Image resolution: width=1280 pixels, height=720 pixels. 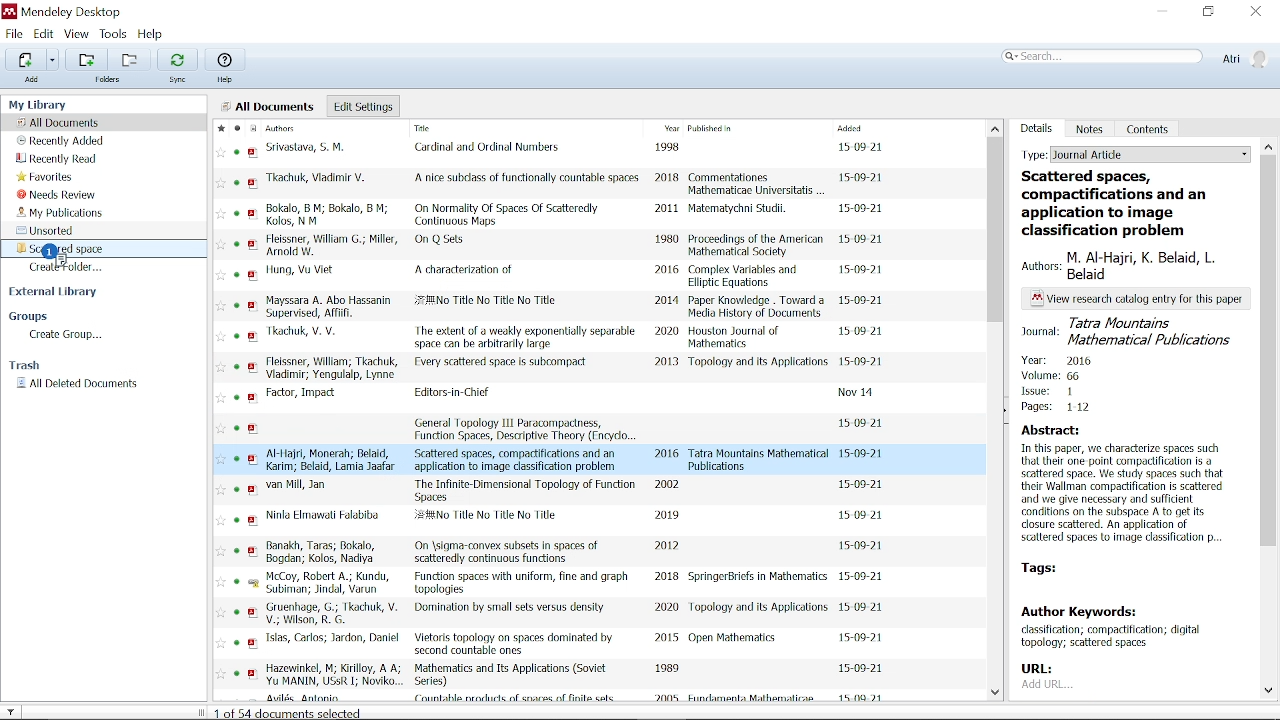 What do you see at coordinates (78, 384) in the screenshot?
I see `All deleted documents` at bounding box center [78, 384].